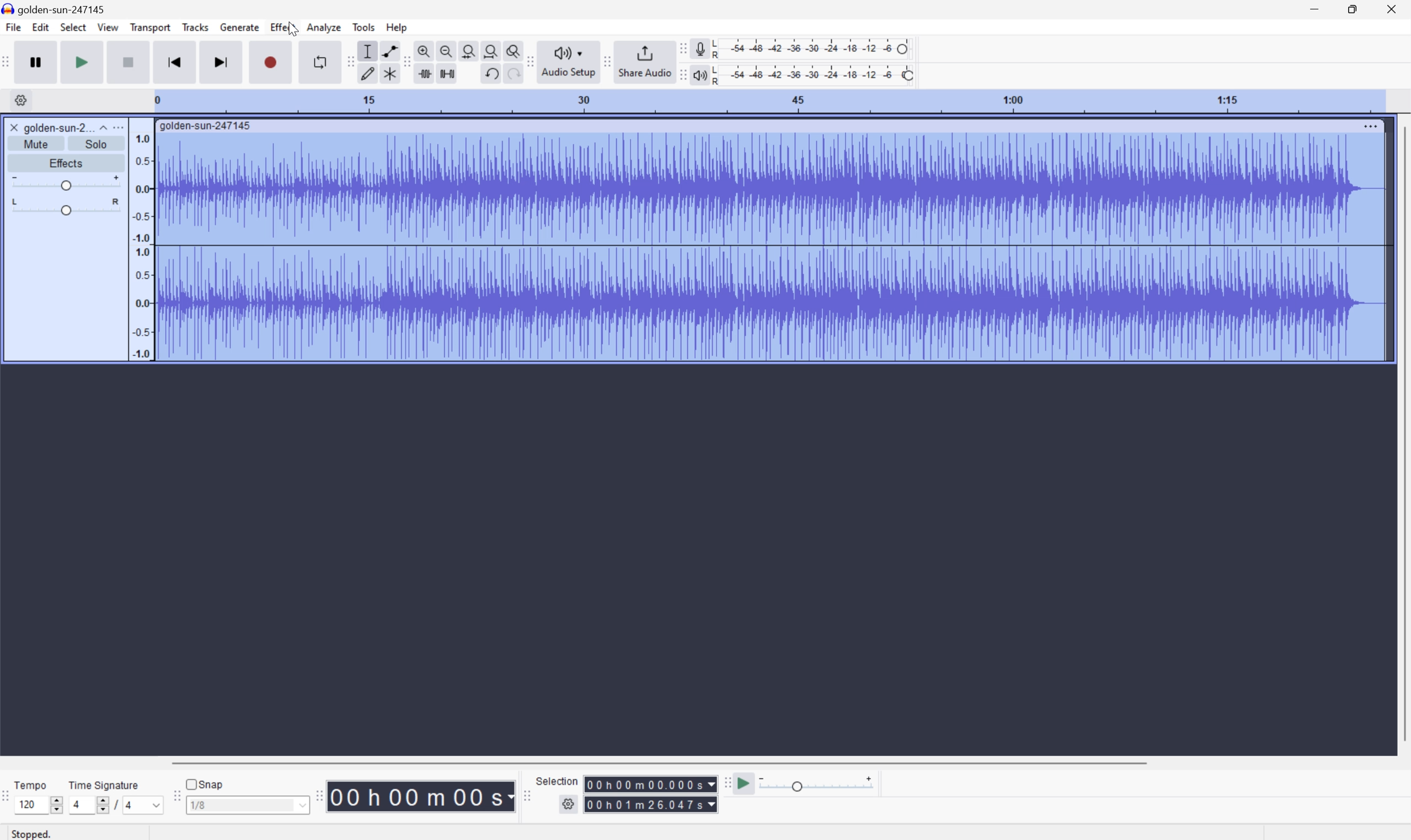 The height and width of the screenshot is (840, 1411). I want to click on Selection, so click(559, 781).